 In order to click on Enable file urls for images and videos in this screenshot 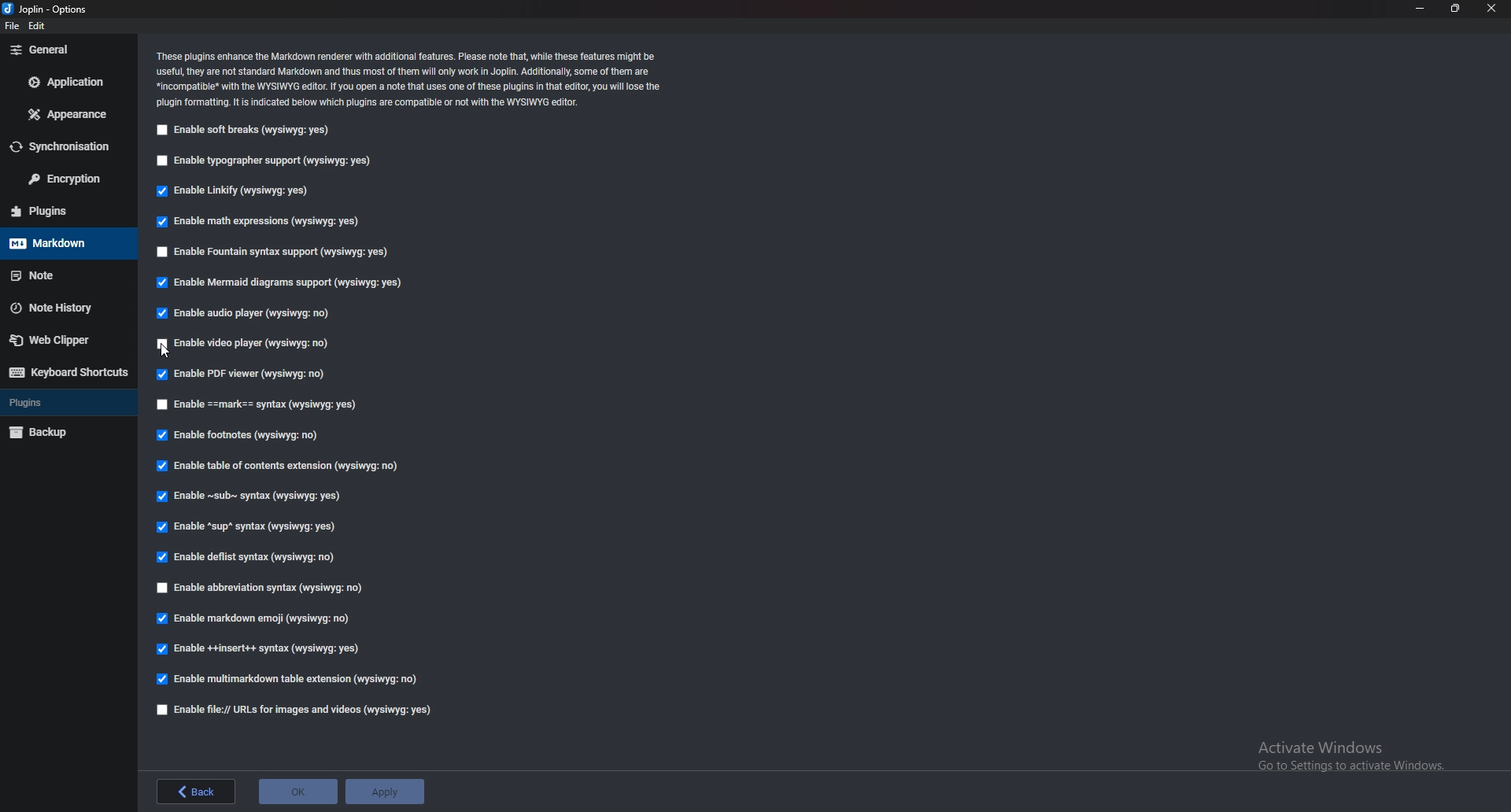, I will do `click(296, 710)`.